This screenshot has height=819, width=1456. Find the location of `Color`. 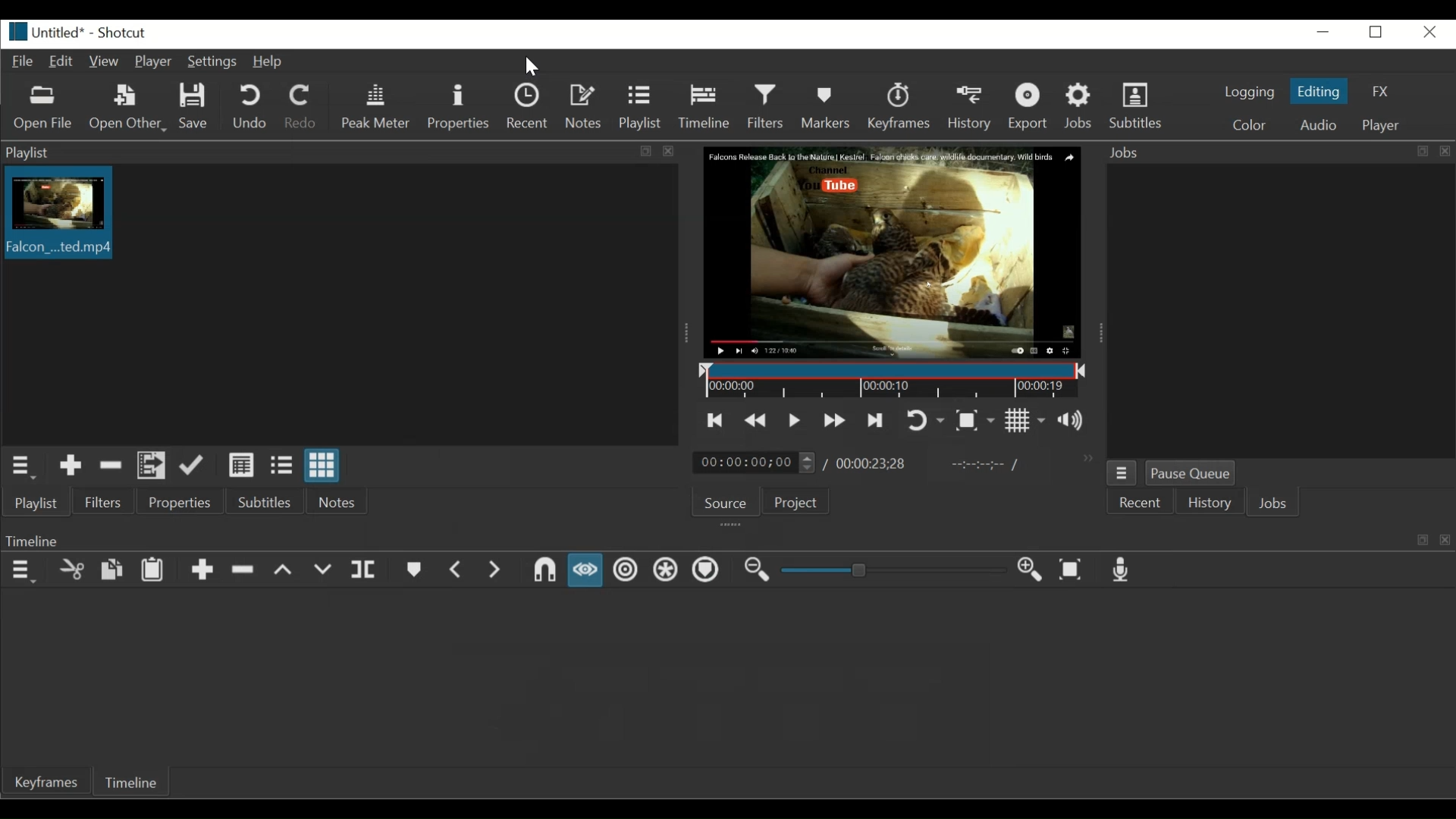

Color is located at coordinates (1249, 123).